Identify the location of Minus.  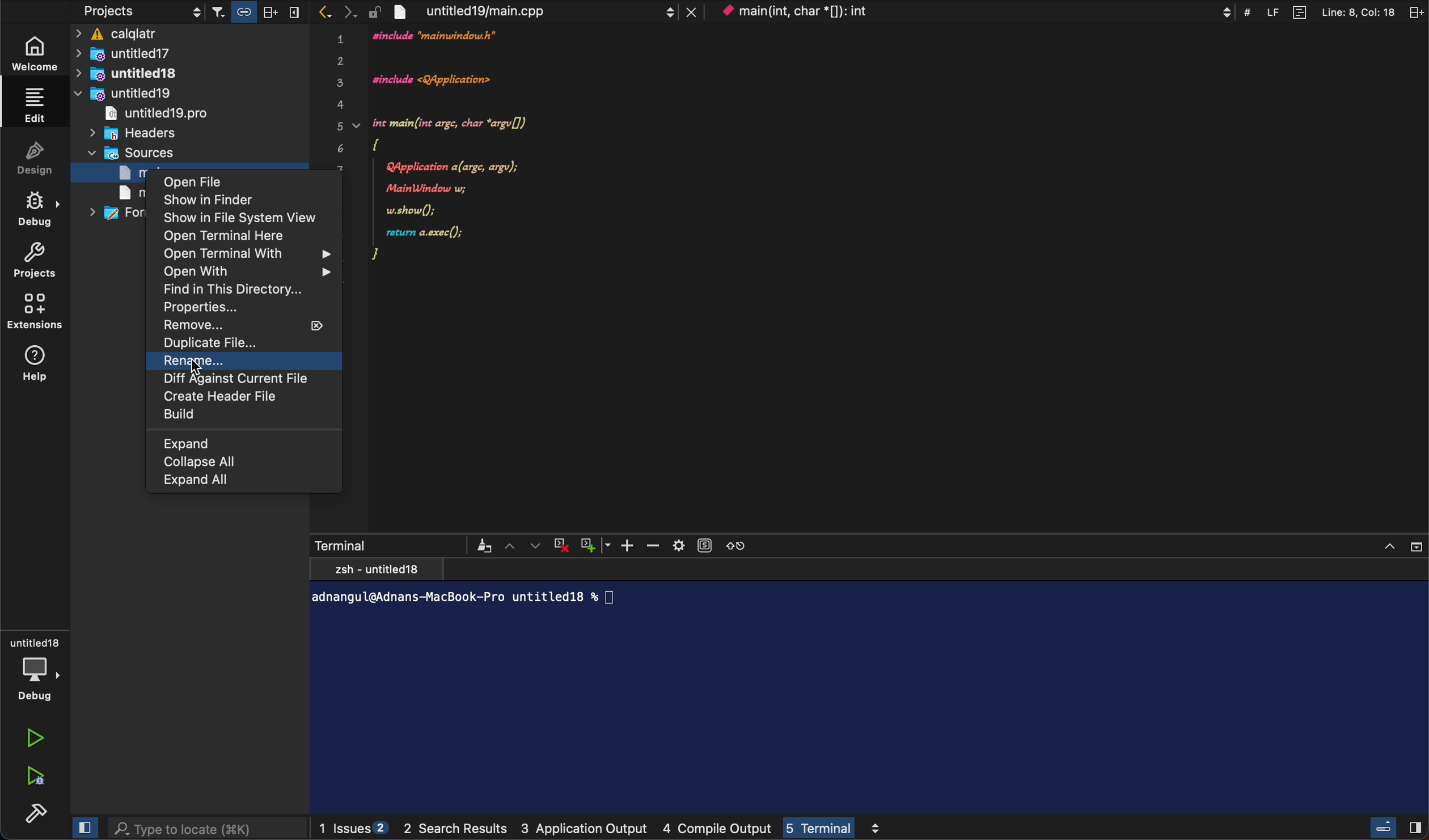
(653, 545).